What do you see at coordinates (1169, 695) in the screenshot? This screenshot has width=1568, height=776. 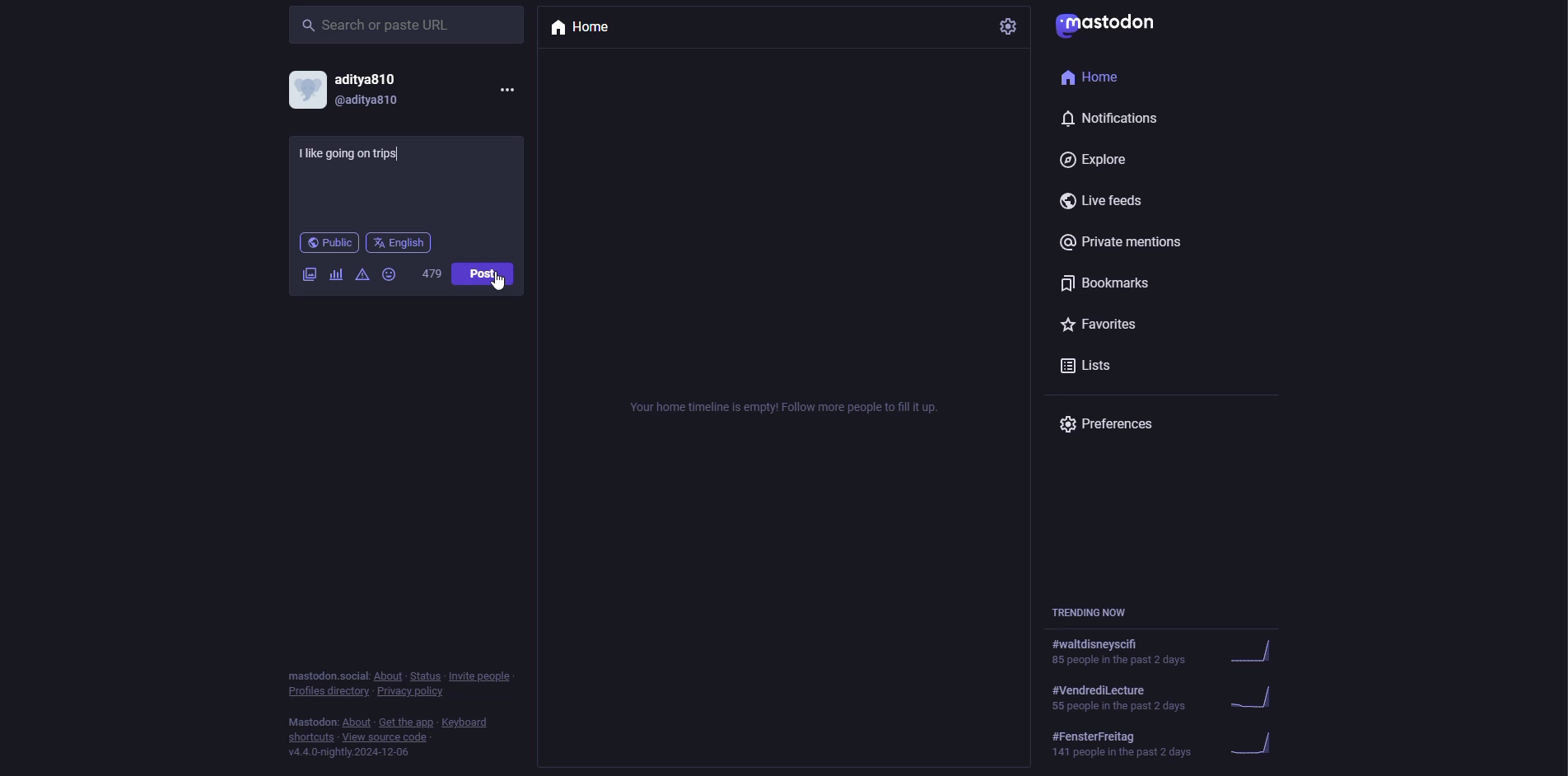 I see `trending now` at bounding box center [1169, 695].